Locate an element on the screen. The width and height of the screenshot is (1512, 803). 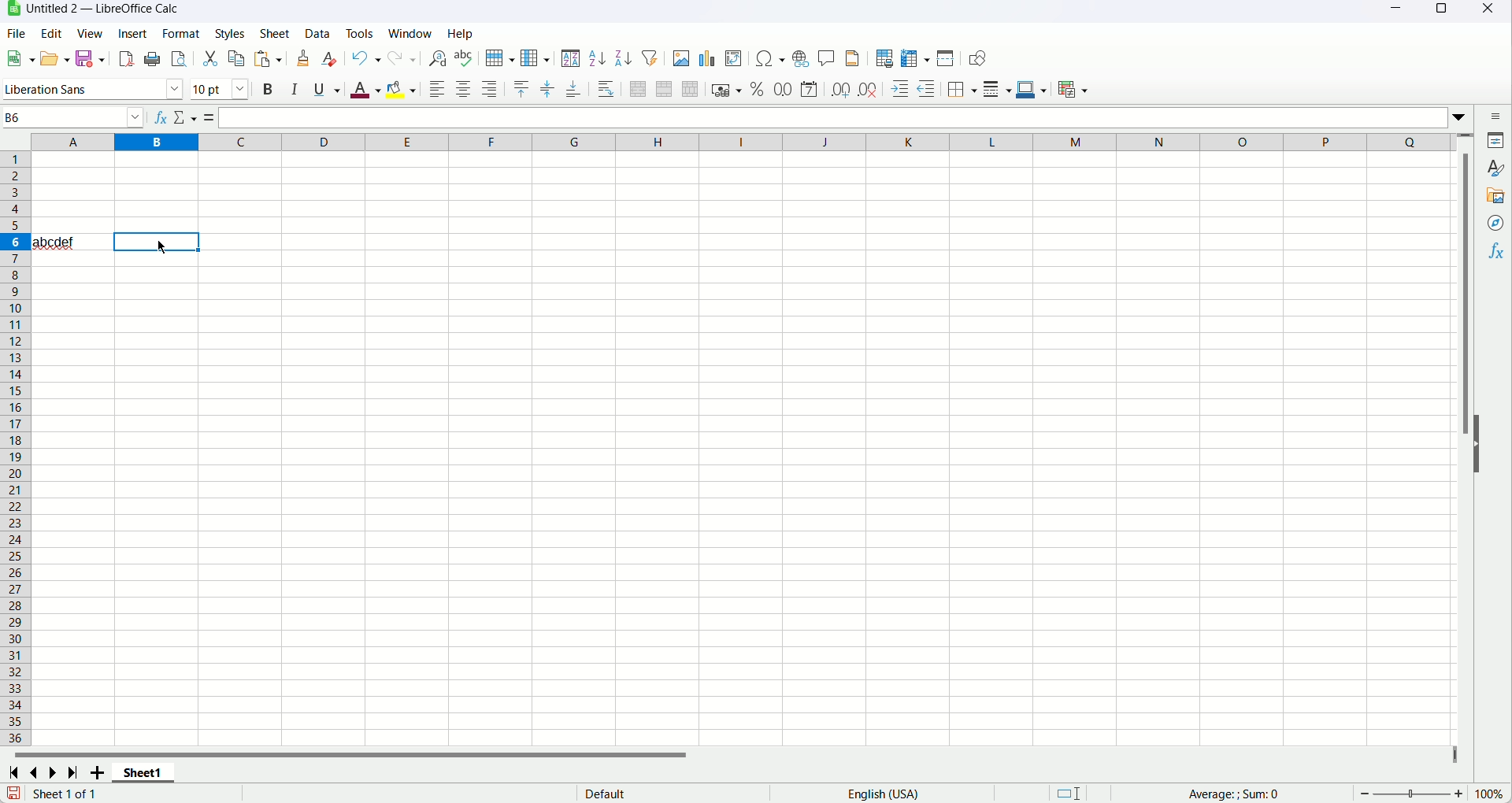
format as number is located at coordinates (784, 89).